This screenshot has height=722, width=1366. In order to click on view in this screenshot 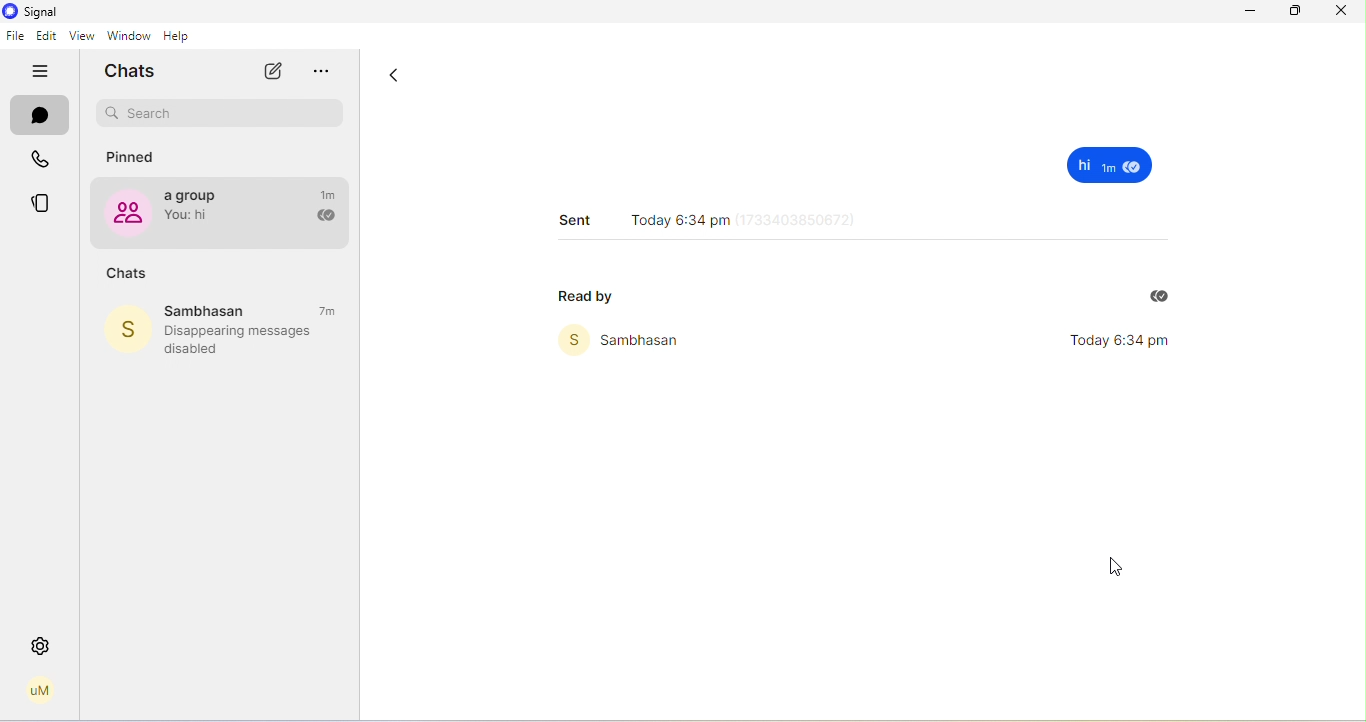, I will do `click(79, 37)`.